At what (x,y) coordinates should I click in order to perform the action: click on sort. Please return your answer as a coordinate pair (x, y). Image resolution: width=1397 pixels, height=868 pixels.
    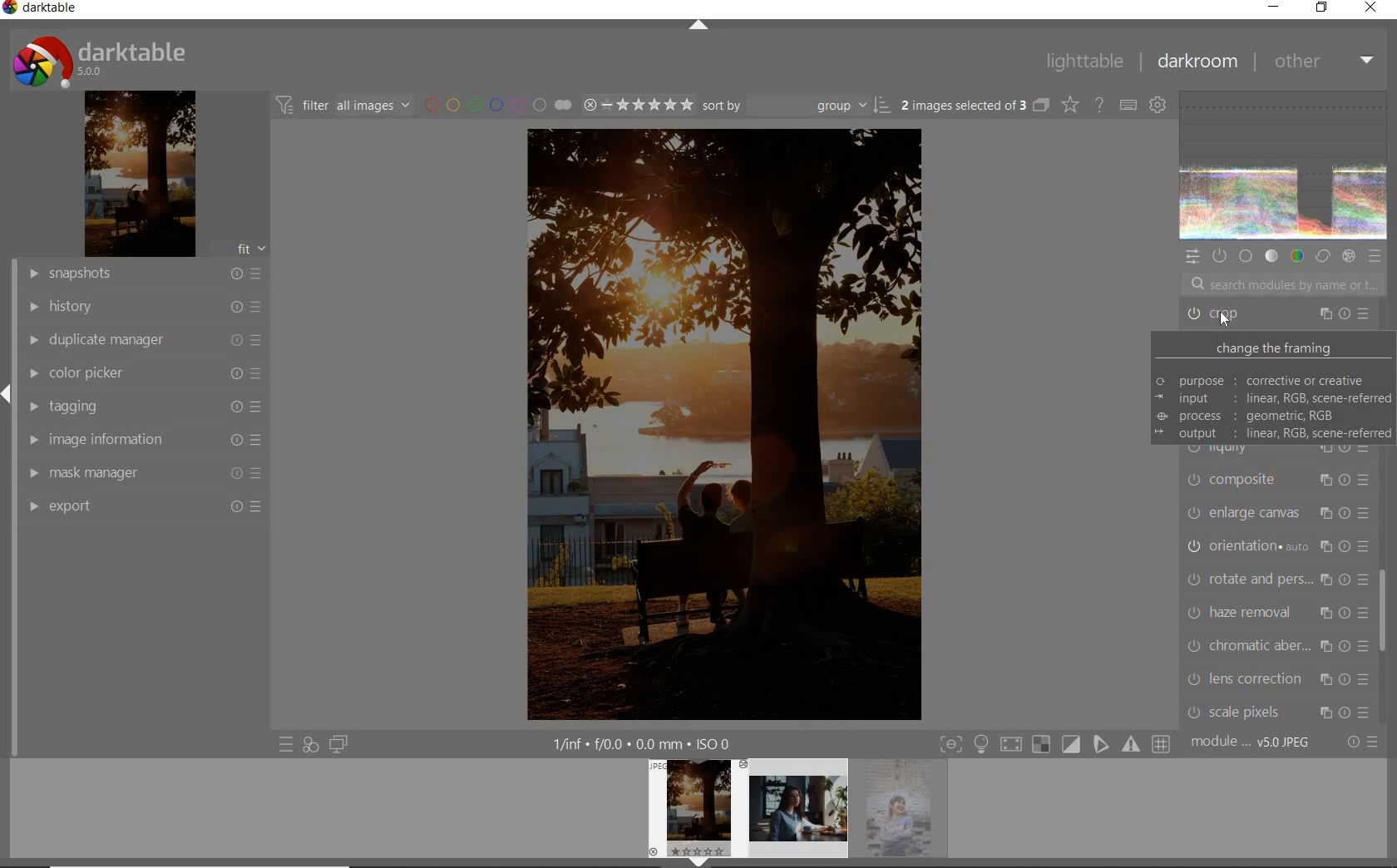
    Looking at the image, I should click on (797, 106).